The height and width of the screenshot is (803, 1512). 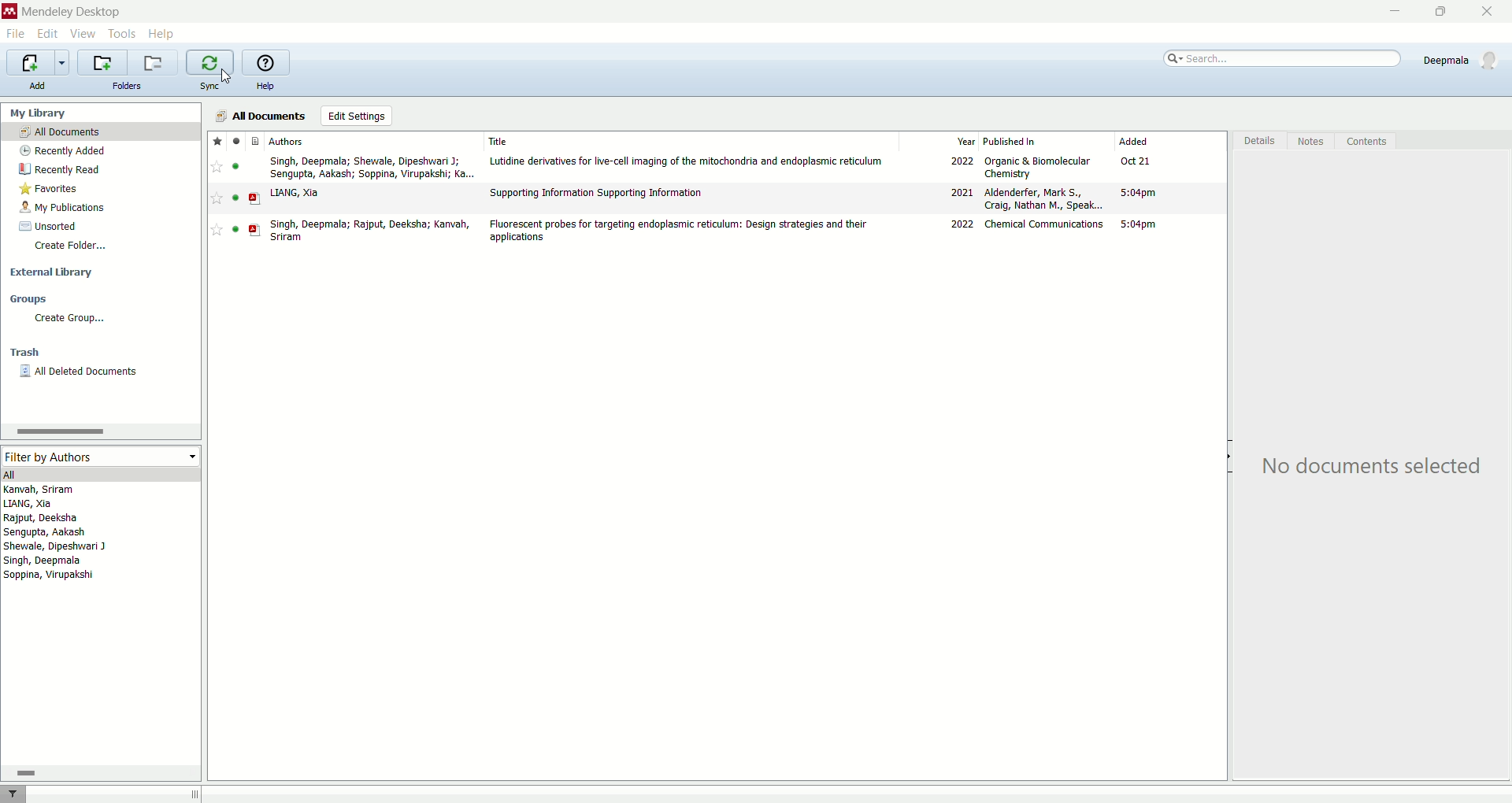 I want to click on read/unread, so click(x=236, y=142).